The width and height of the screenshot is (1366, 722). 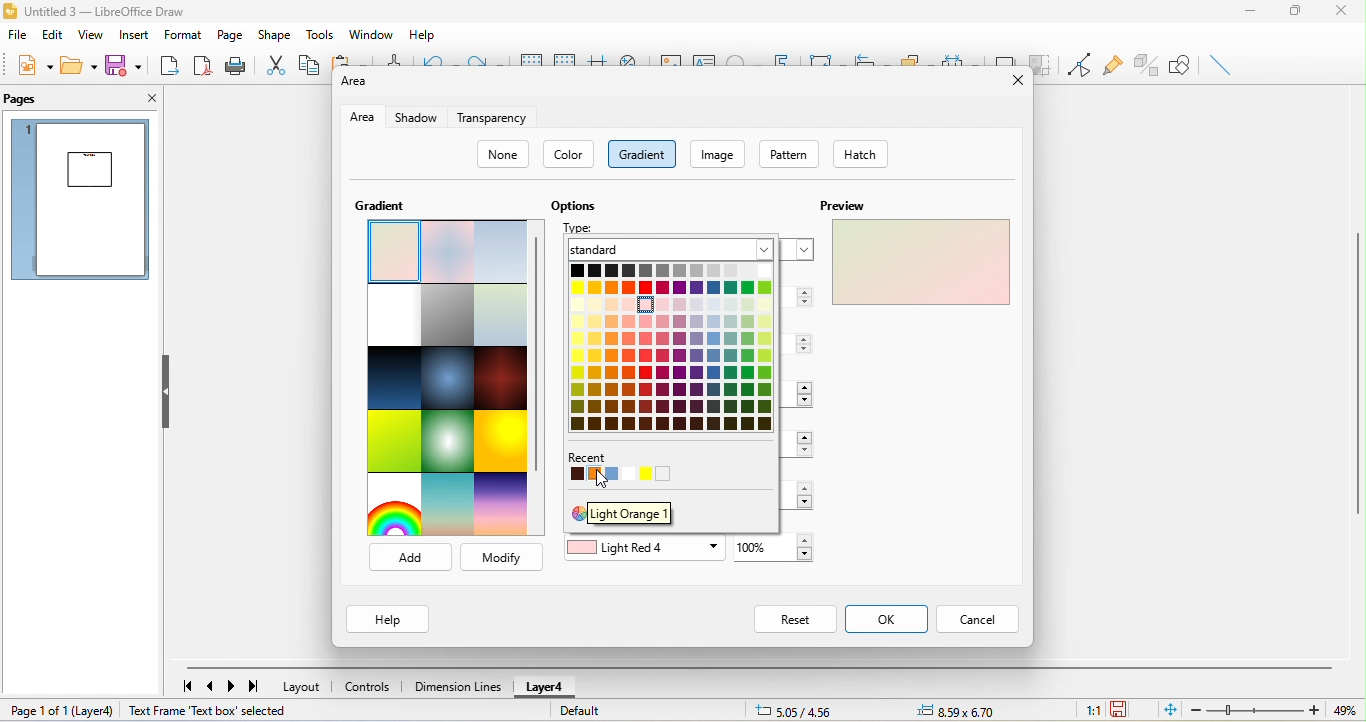 I want to click on cut, so click(x=277, y=66).